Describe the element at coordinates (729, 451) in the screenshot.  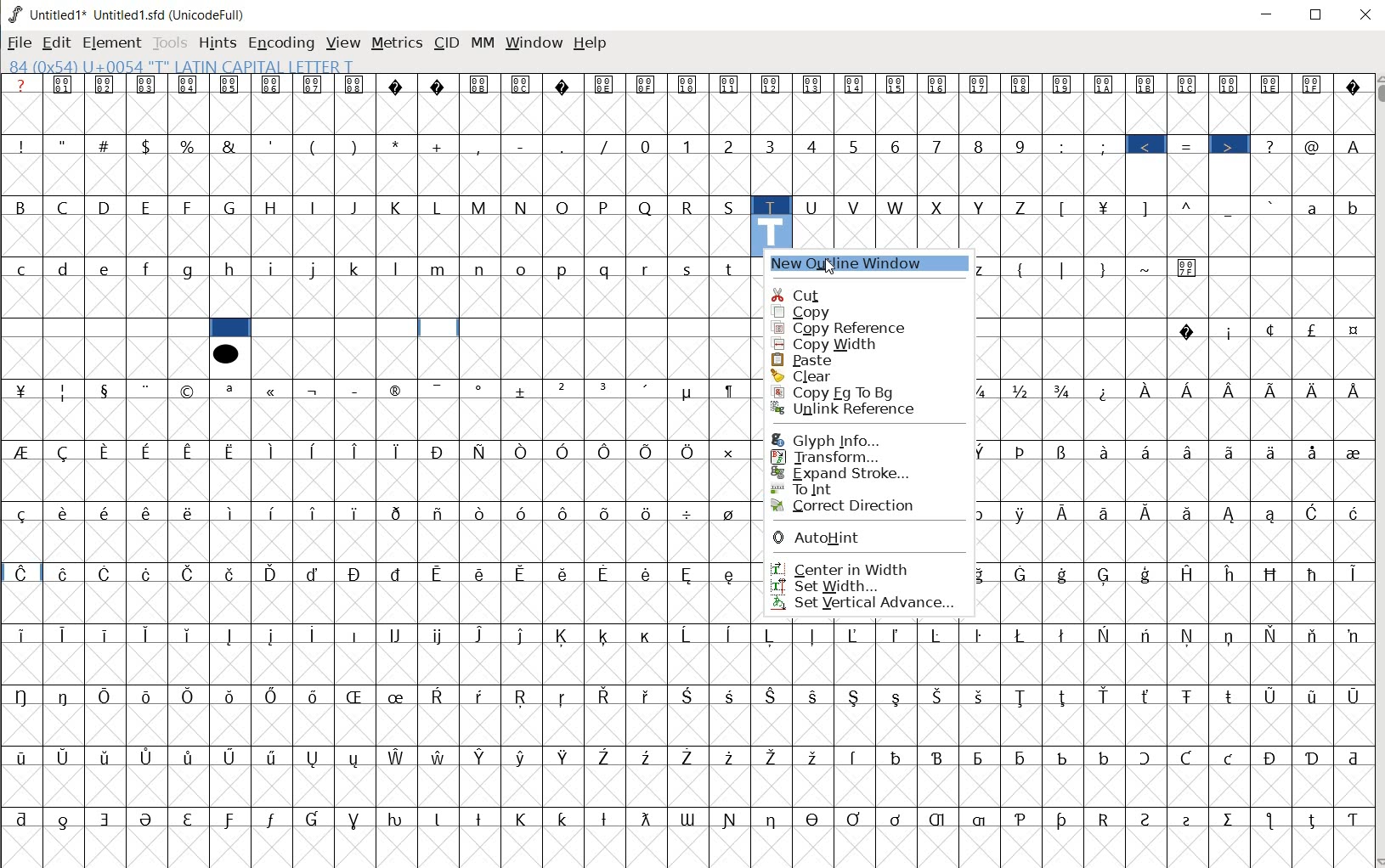
I see `Symbol` at that location.